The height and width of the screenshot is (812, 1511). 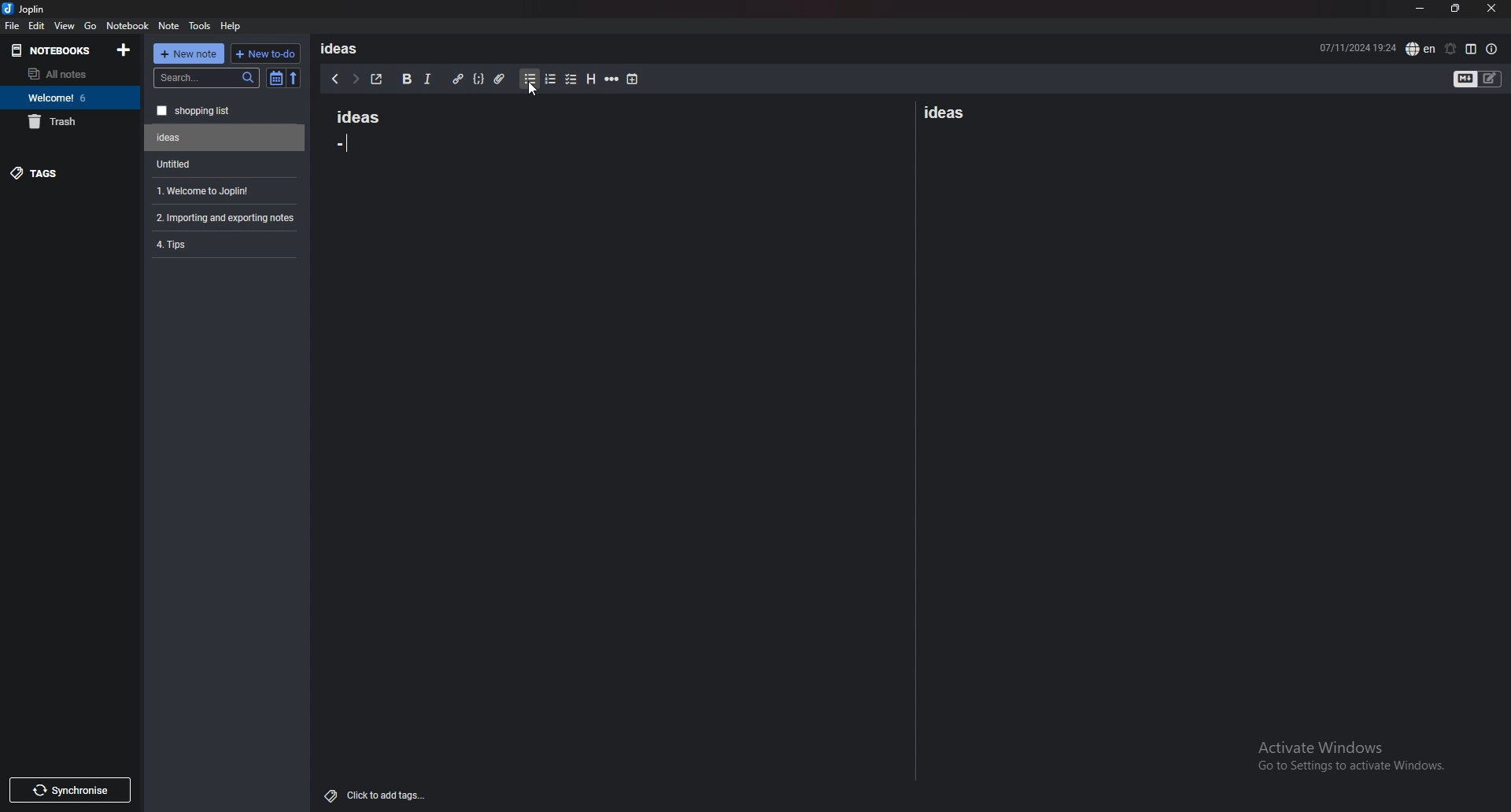 I want to click on horizontal rule, so click(x=611, y=79).